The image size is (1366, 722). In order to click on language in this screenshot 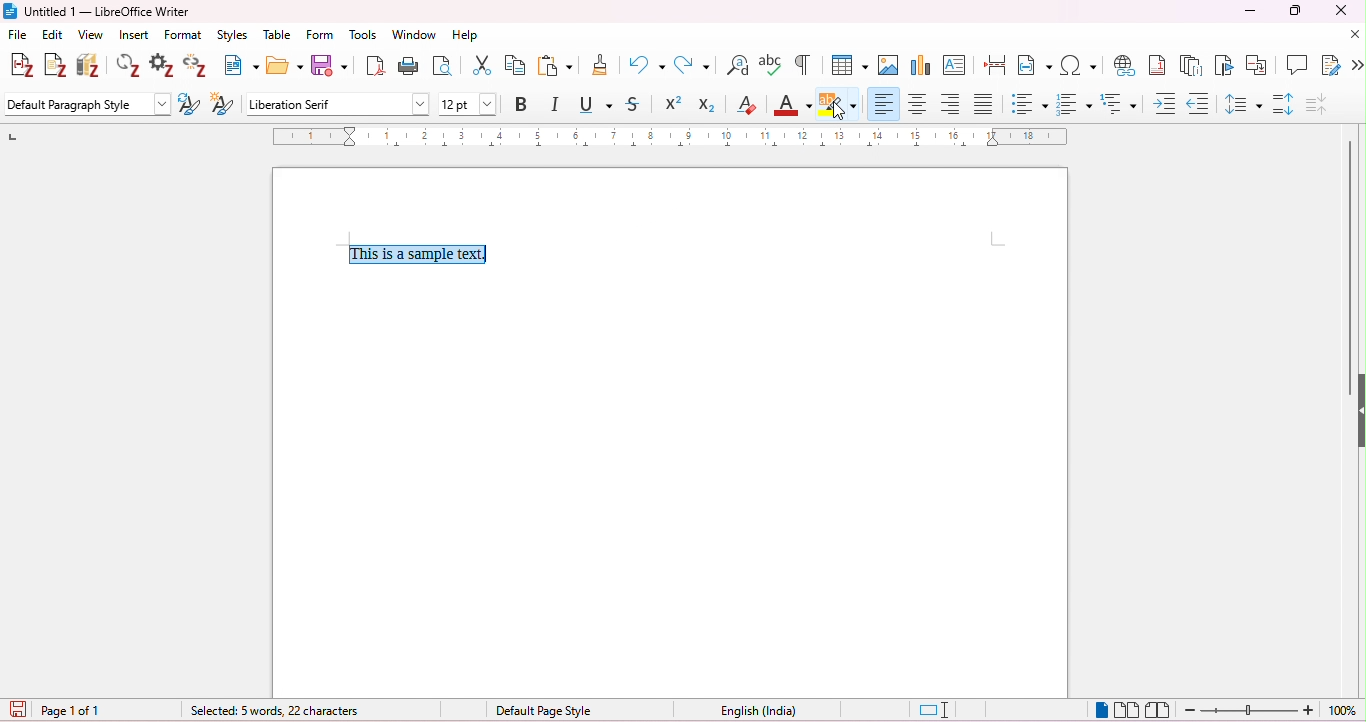, I will do `click(758, 711)`.